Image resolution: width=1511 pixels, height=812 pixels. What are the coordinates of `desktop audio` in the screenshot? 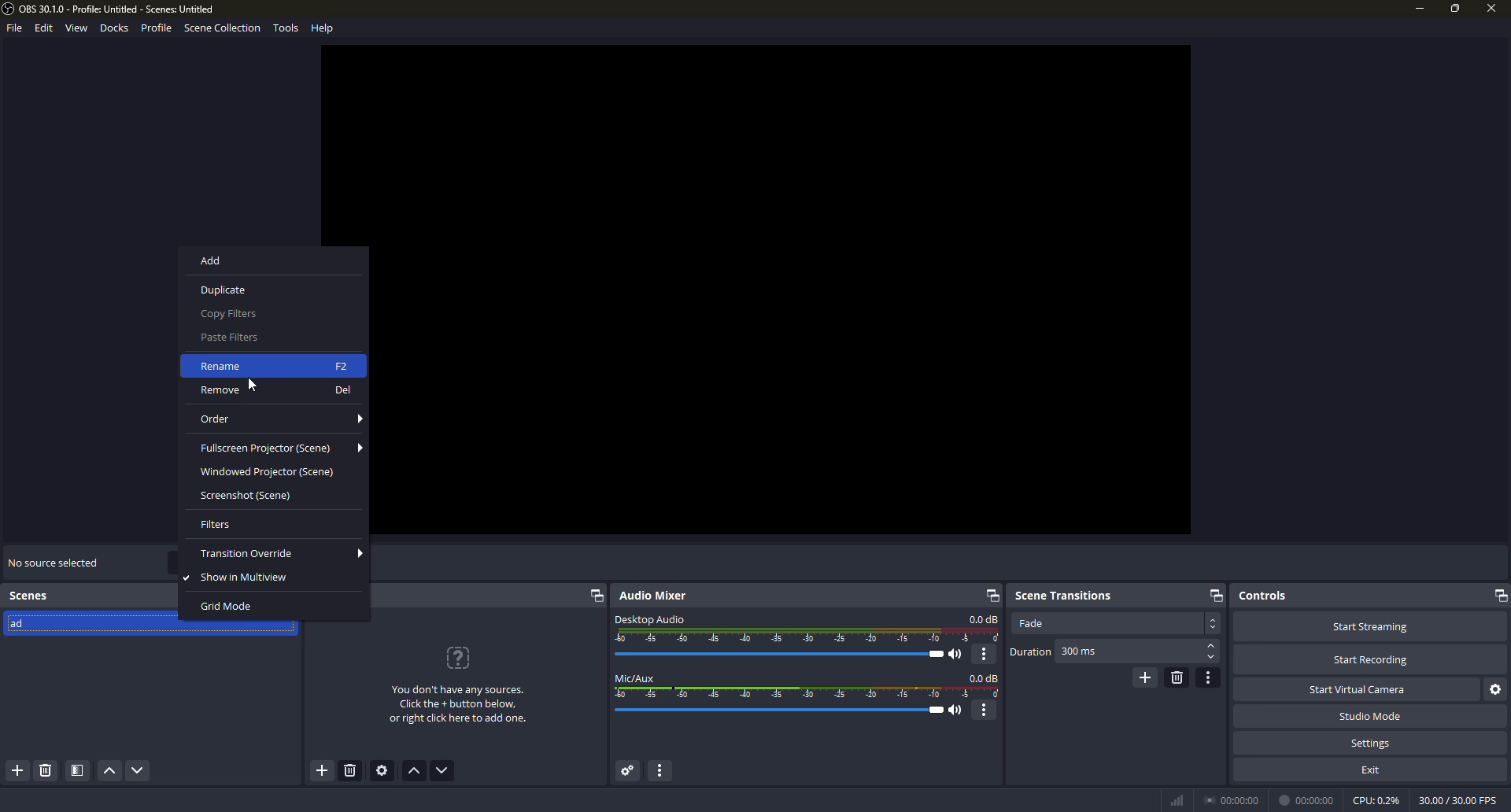 It's located at (650, 618).